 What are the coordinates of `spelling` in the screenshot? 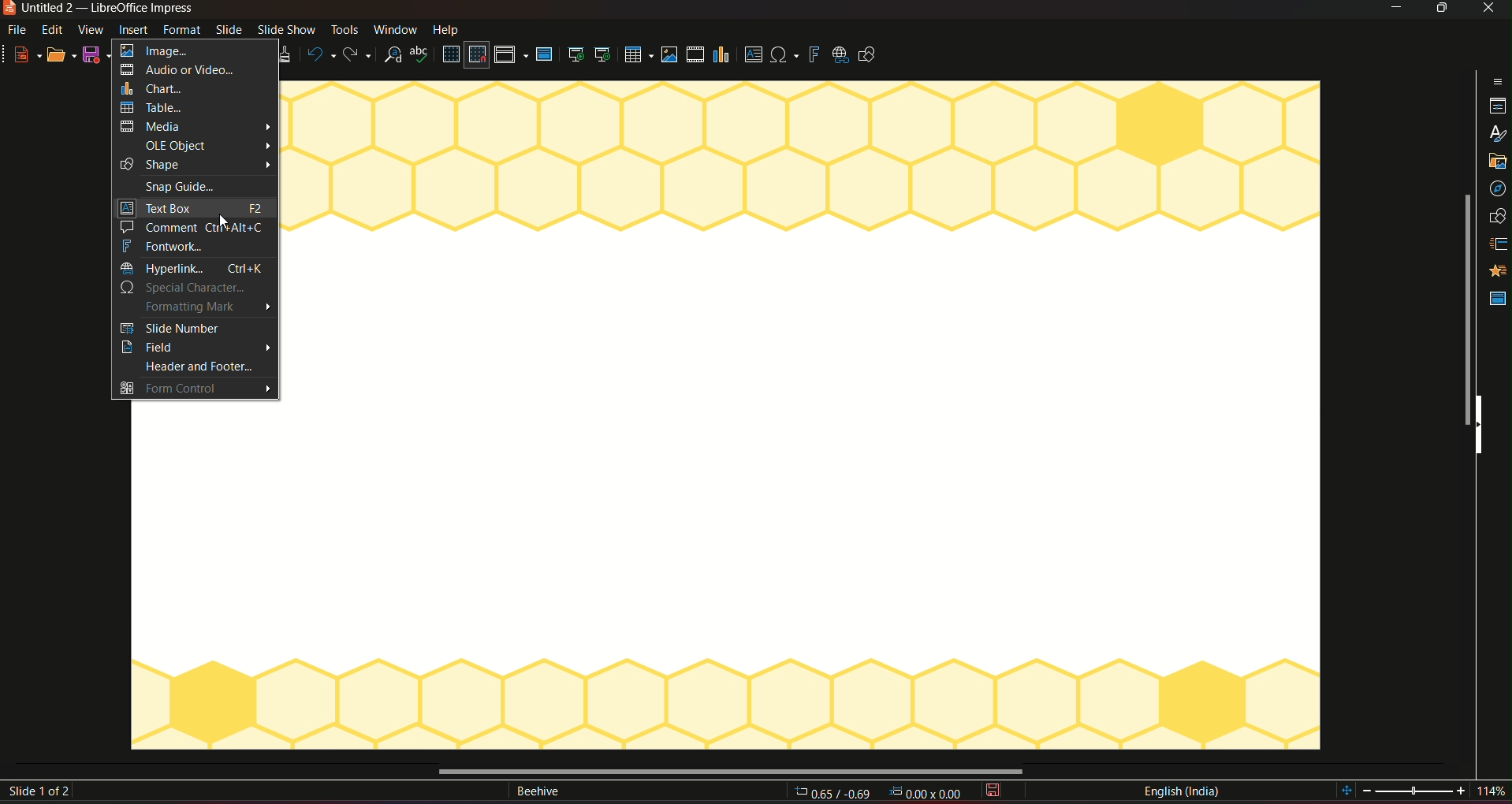 It's located at (420, 56).